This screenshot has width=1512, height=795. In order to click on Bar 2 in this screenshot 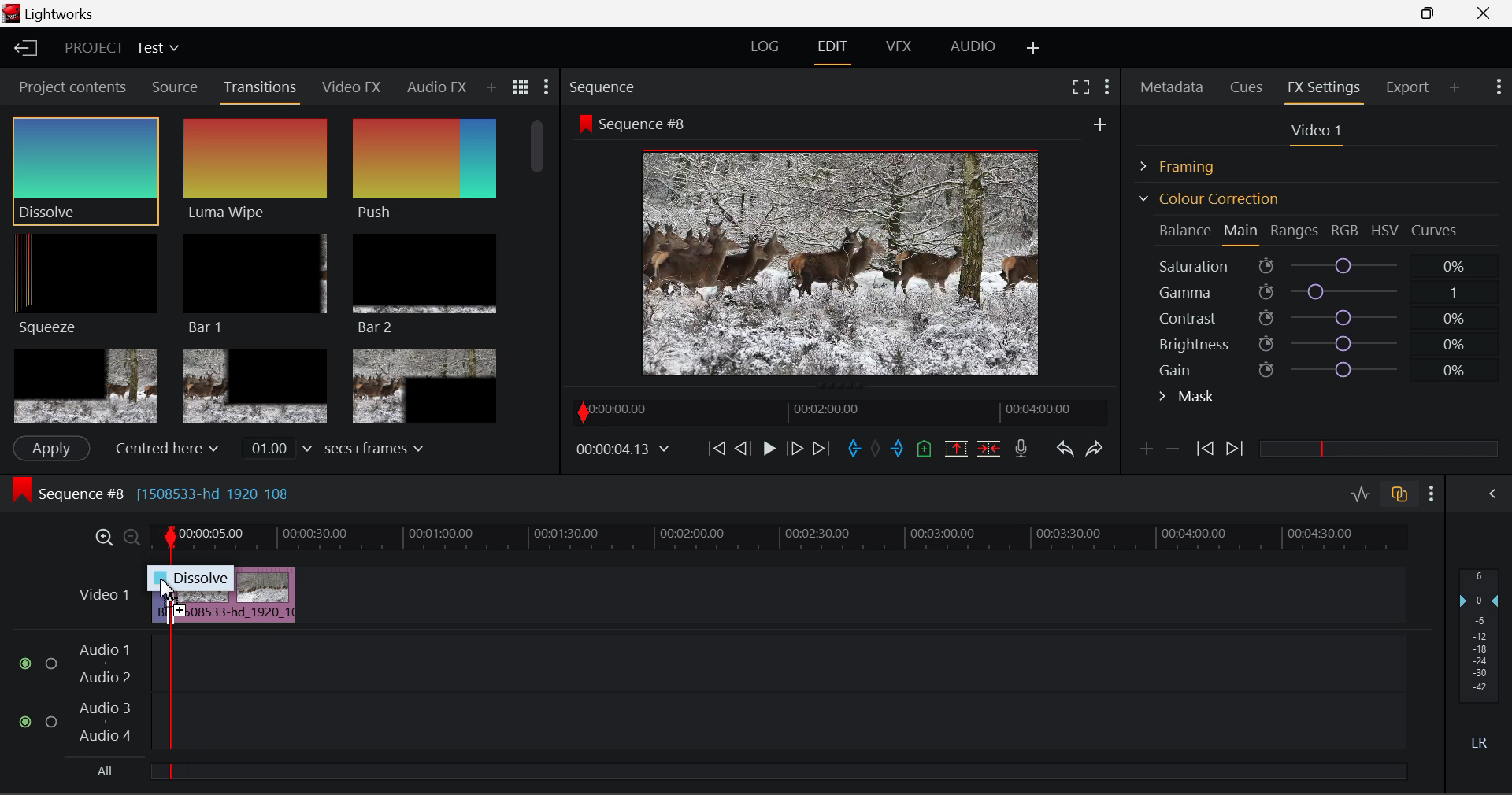, I will do `click(424, 284)`.